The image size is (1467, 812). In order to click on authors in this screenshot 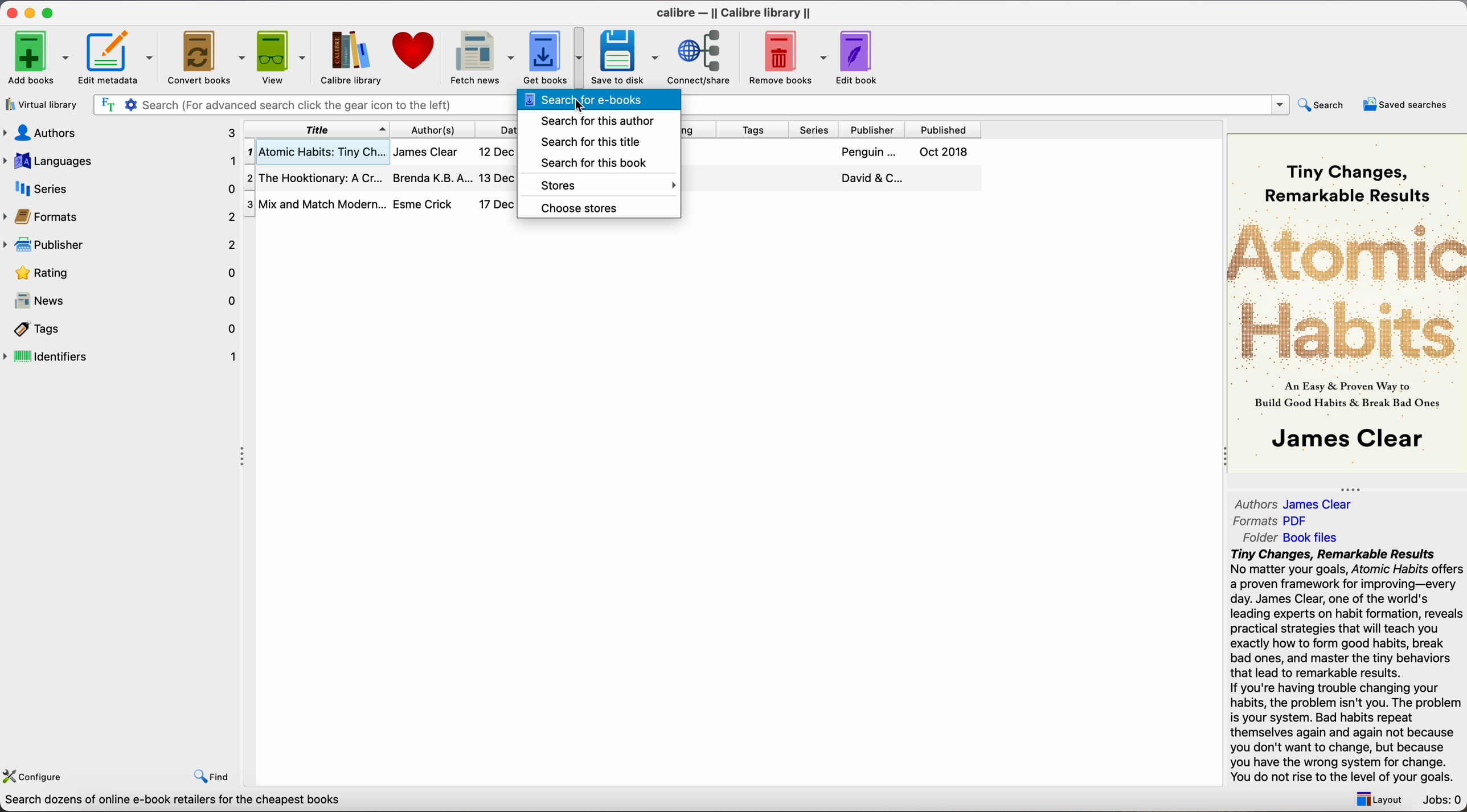, I will do `click(118, 132)`.